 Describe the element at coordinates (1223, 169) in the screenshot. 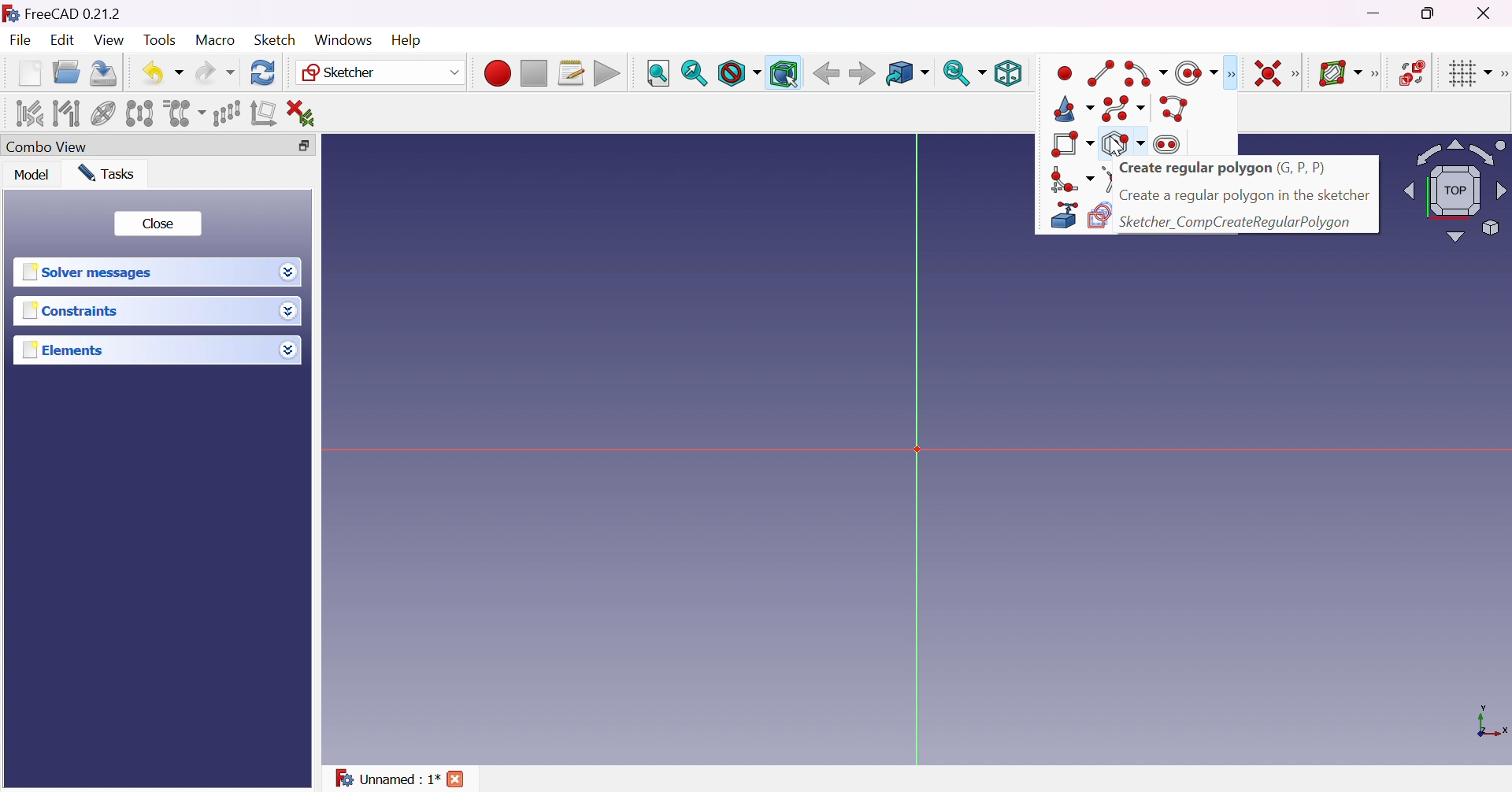

I see `Create regular polygon (G, P, P)` at that location.